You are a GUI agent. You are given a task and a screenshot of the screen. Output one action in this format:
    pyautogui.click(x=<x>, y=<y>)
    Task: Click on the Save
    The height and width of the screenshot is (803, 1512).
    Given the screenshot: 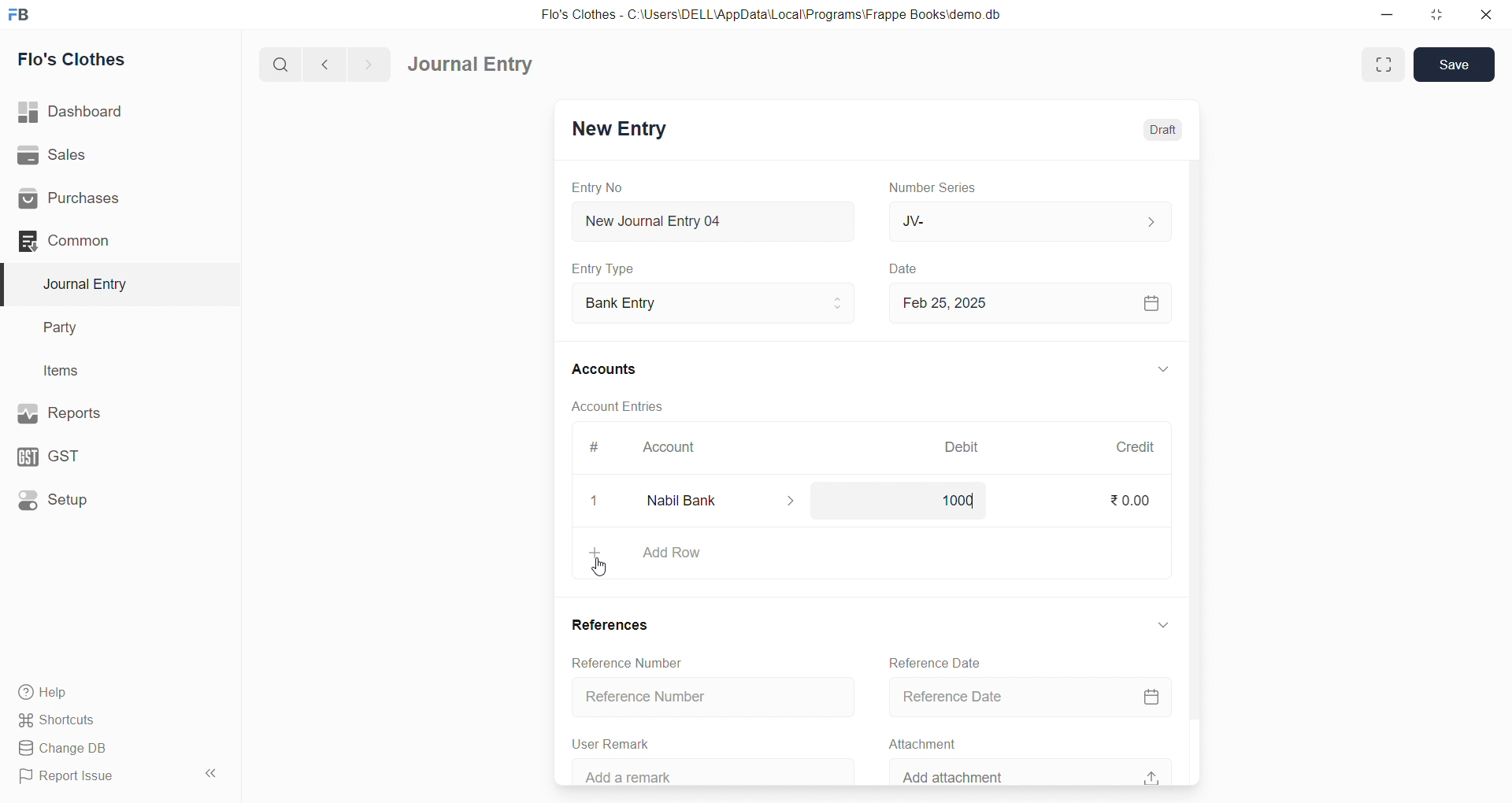 What is the action you would take?
    pyautogui.click(x=1455, y=63)
    